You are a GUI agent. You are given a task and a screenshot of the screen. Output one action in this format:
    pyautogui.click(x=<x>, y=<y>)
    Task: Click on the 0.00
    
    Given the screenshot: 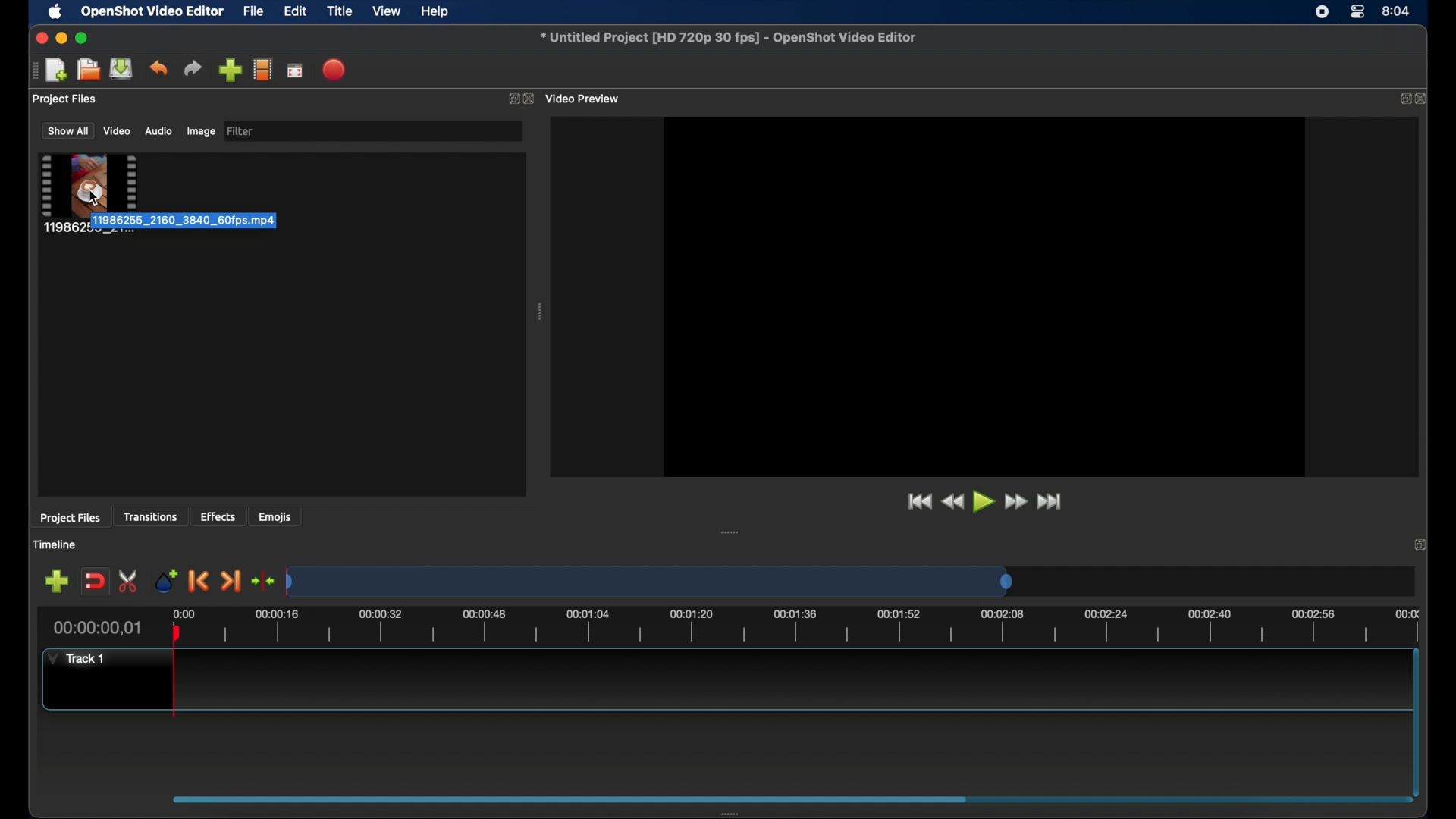 What is the action you would take?
    pyautogui.click(x=184, y=612)
    